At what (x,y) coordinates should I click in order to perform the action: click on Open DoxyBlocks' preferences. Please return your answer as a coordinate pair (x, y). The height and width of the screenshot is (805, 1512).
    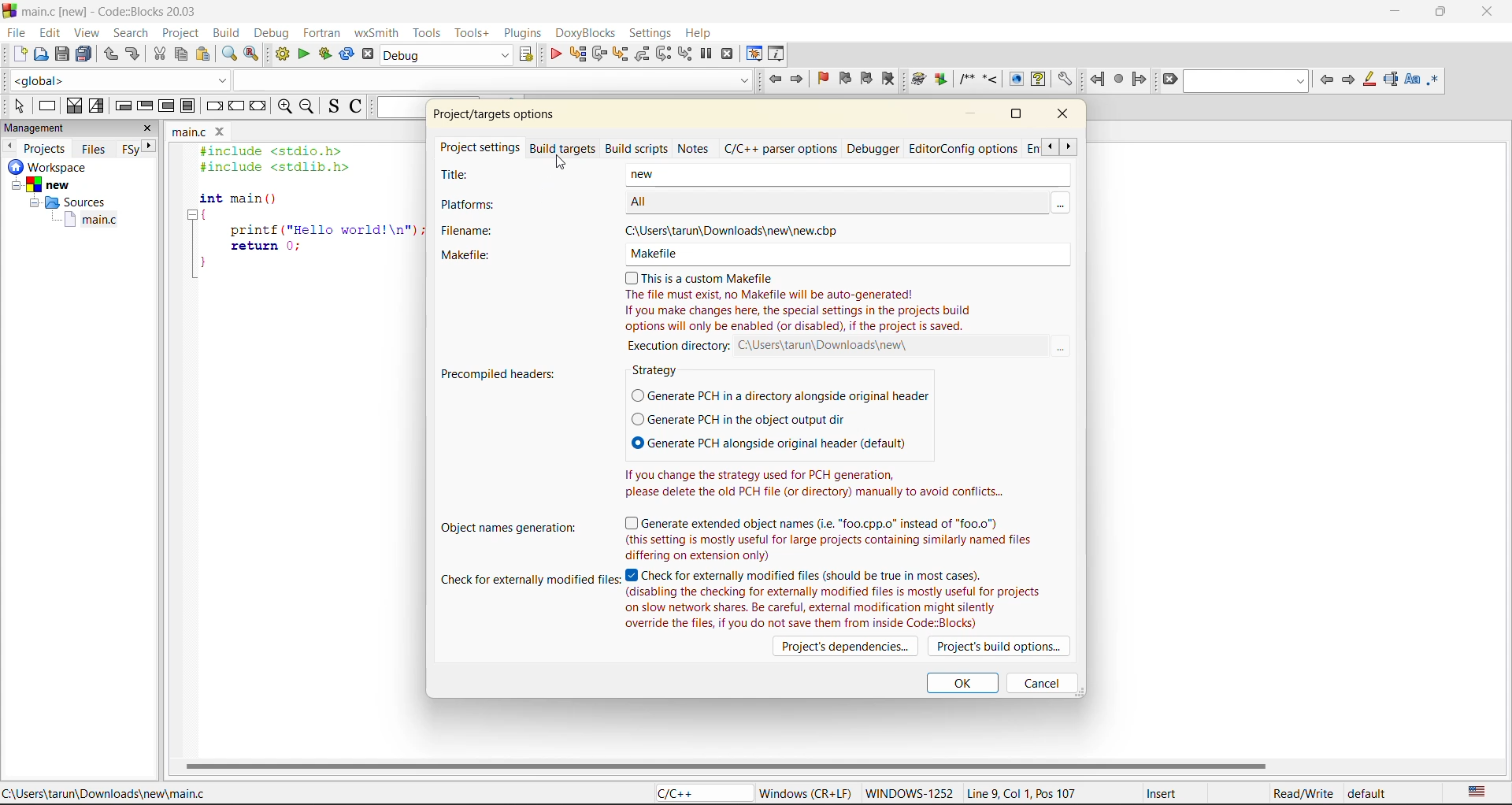
    Looking at the image, I should click on (1064, 80).